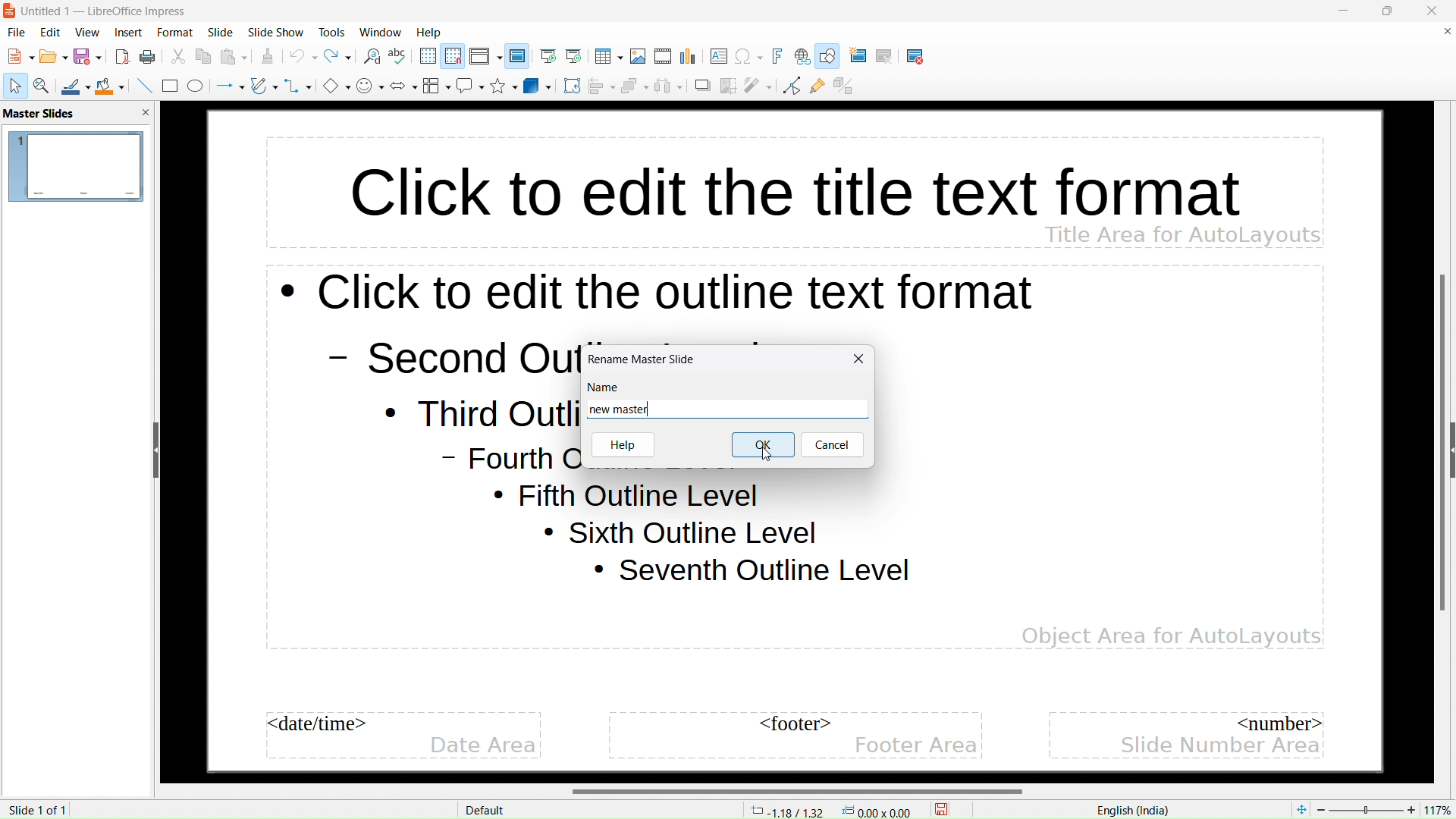 The width and height of the screenshot is (1456, 819). Describe the element at coordinates (104, 11) in the screenshot. I see `Unitled 1 -- LibreOffice Impress` at that location.